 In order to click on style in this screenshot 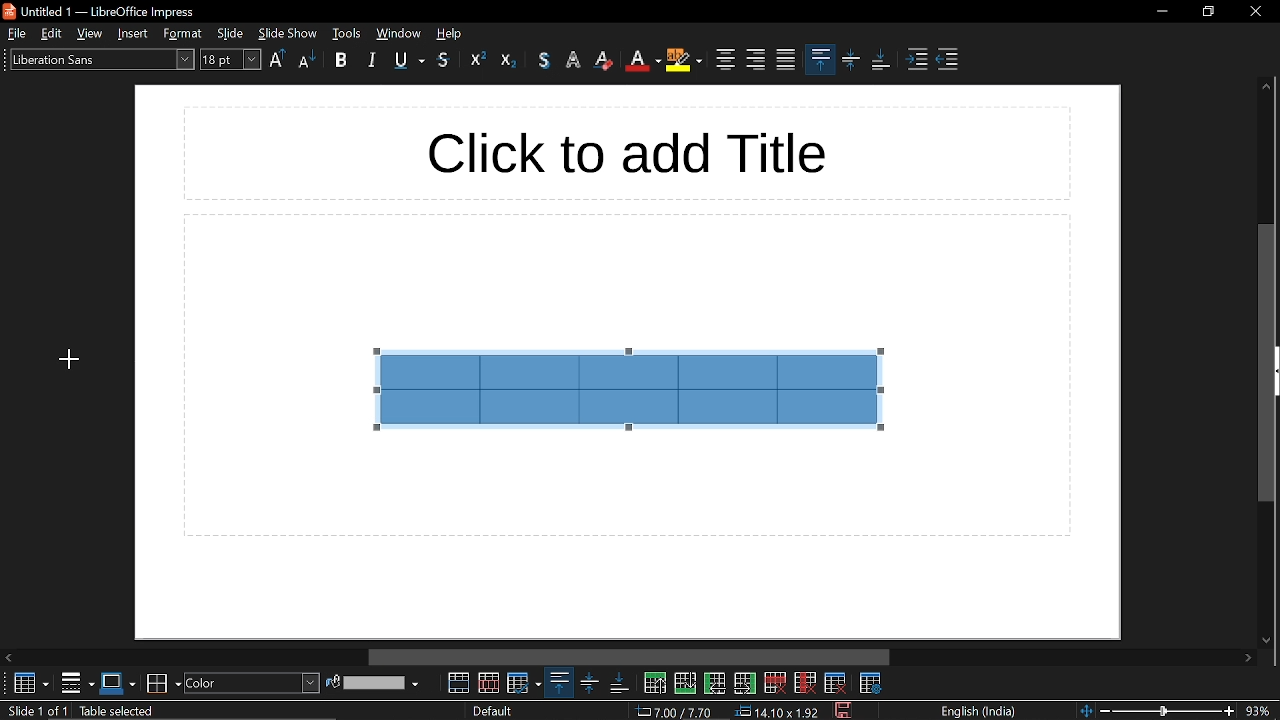, I will do `click(182, 34)`.